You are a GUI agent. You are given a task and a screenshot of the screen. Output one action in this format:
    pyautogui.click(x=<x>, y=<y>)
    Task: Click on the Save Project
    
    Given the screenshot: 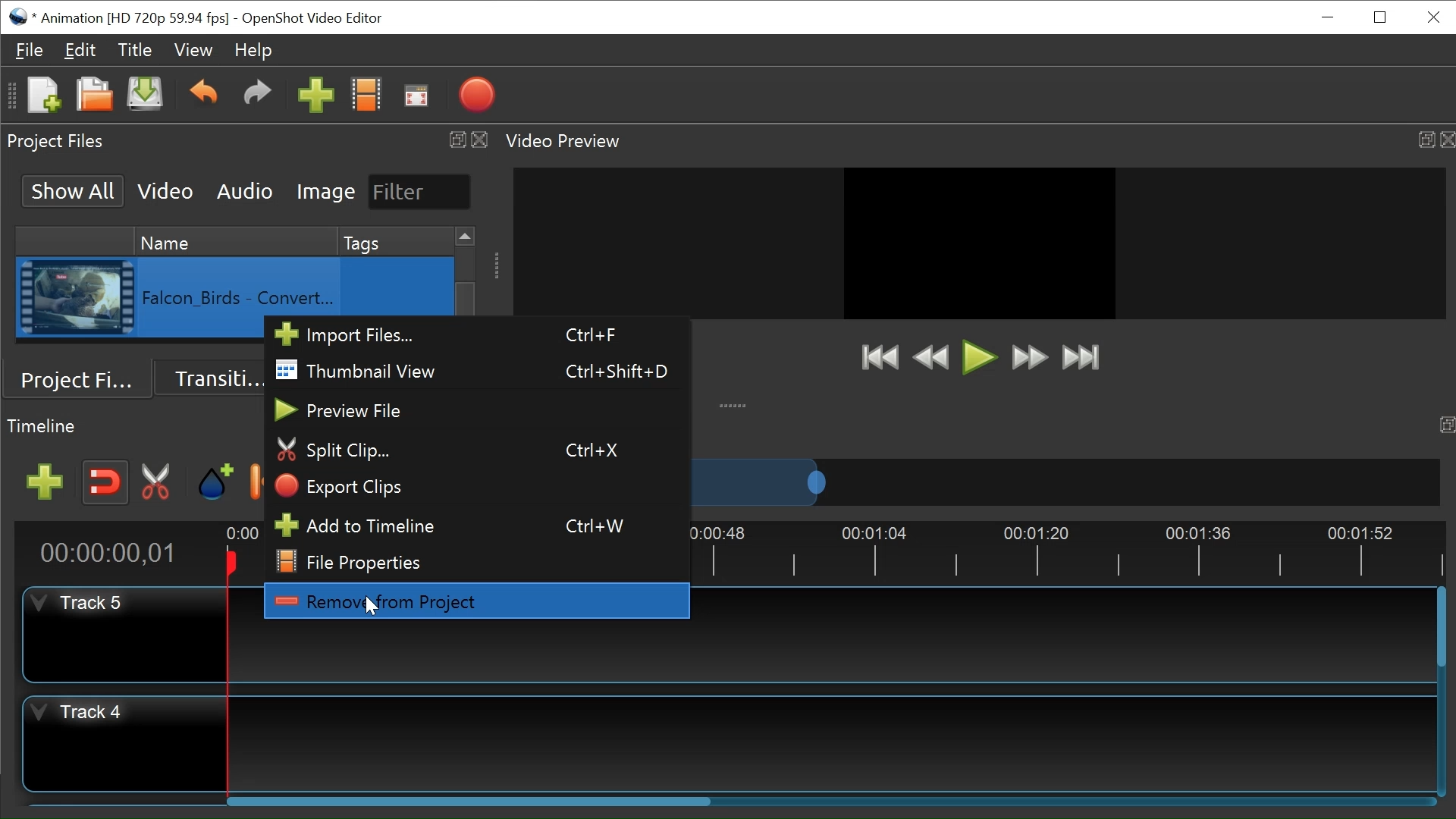 What is the action you would take?
    pyautogui.click(x=145, y=95)
    